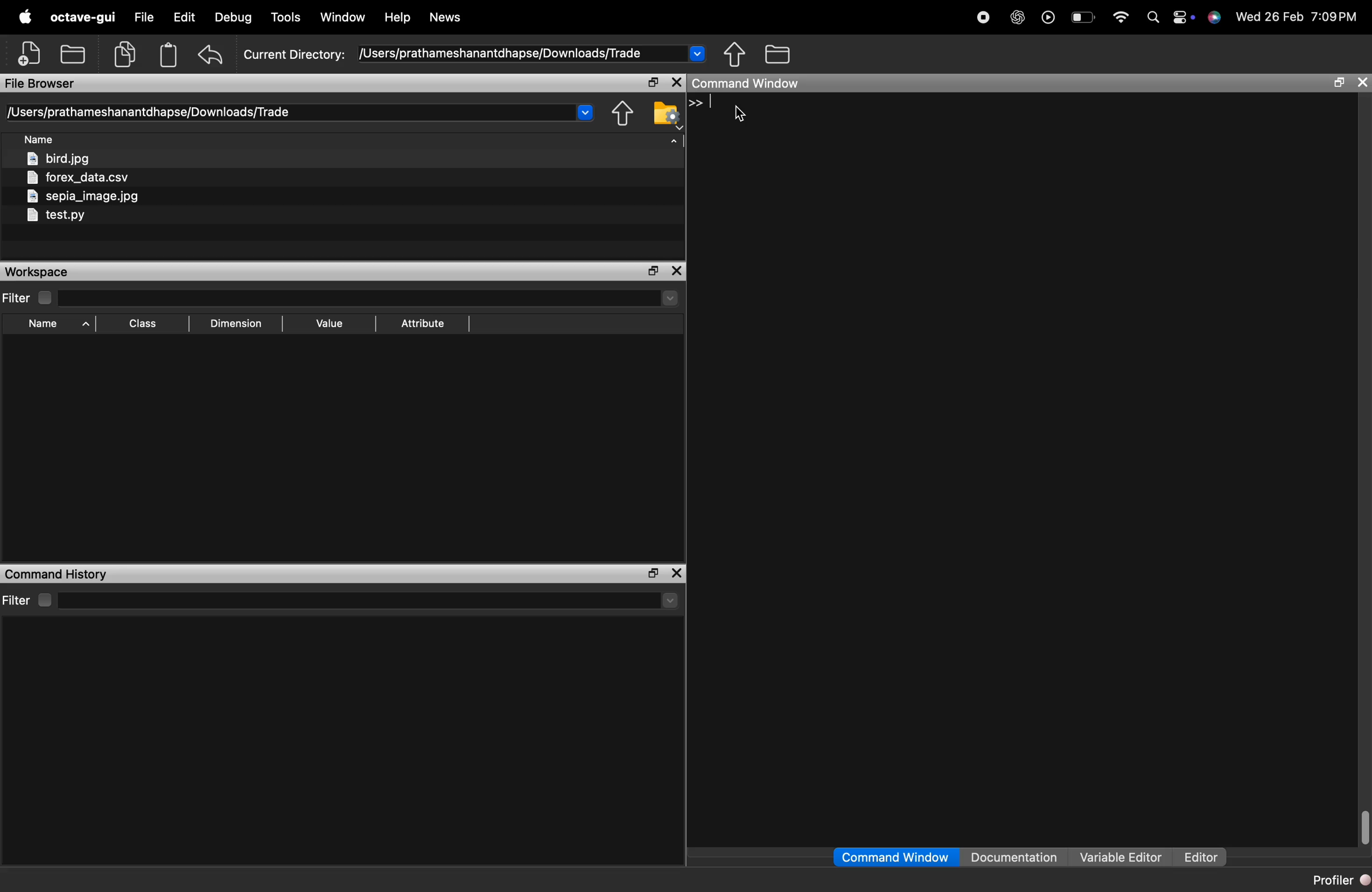 This screenshot has width=1372, height=892. Describe the element at coordinates (983, 18) in the screenshot. I see `record` at that location.